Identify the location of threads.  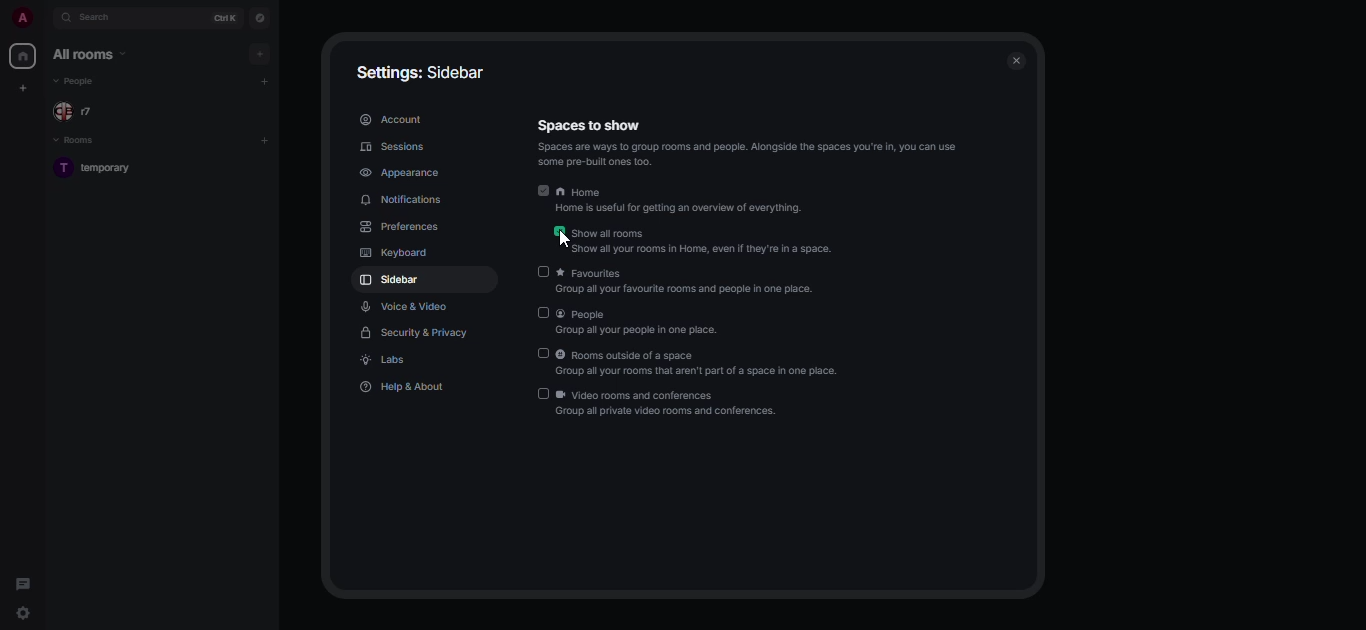
(21, 583).